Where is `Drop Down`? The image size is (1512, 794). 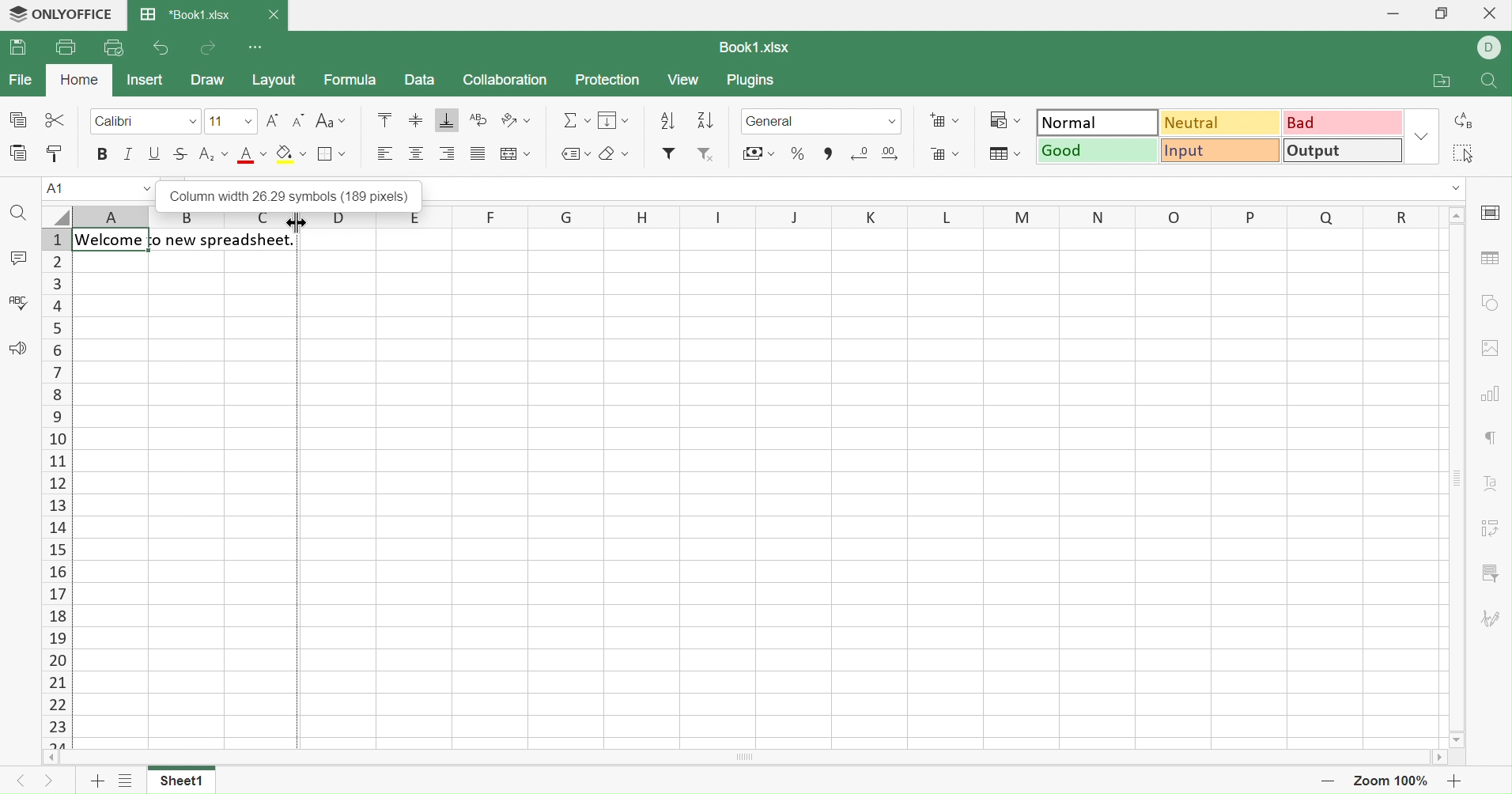 Drop Down is located at coordinates (1453, 189).